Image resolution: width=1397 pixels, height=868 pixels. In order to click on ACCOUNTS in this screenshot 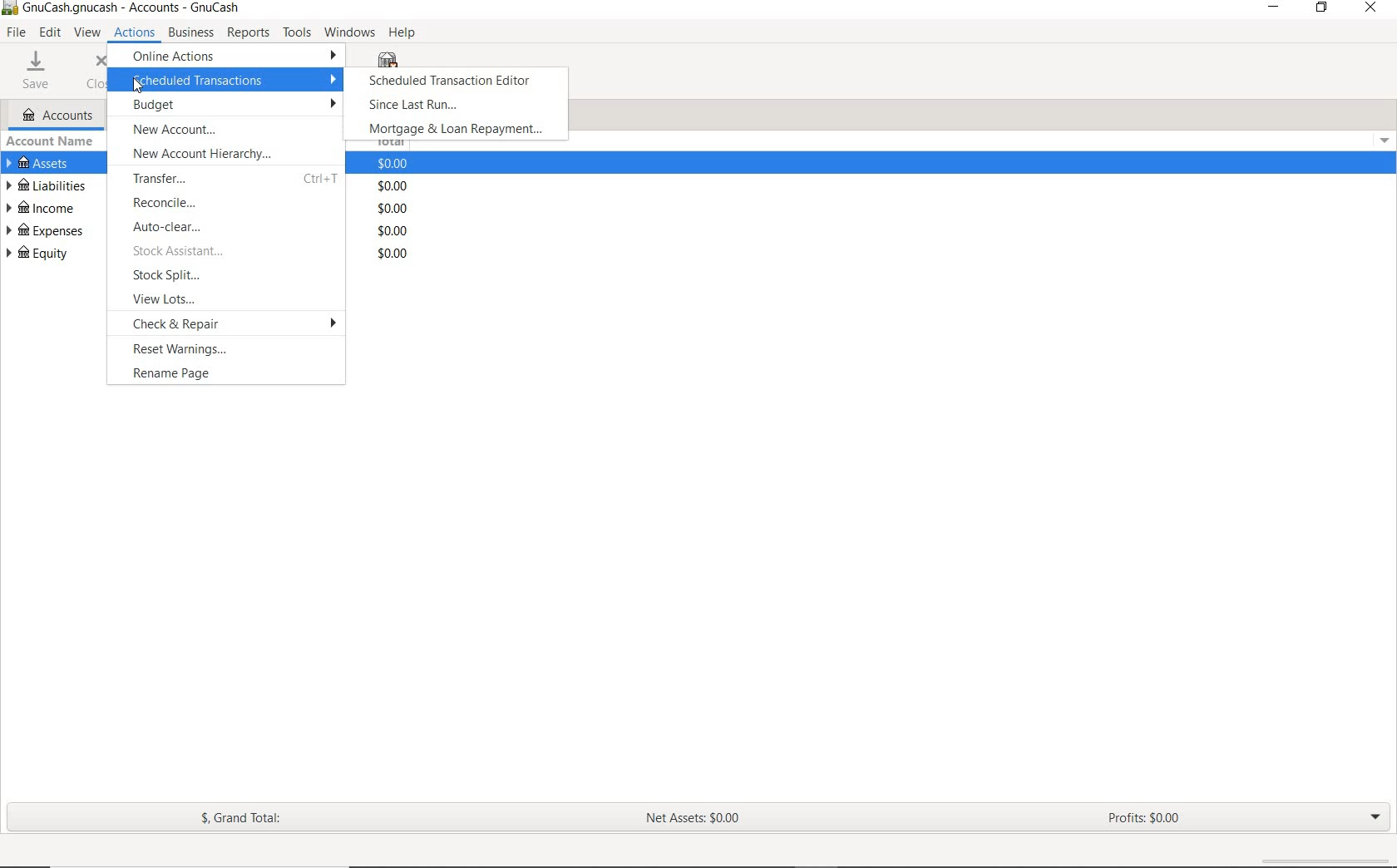, I will do `click(58, 115)`.